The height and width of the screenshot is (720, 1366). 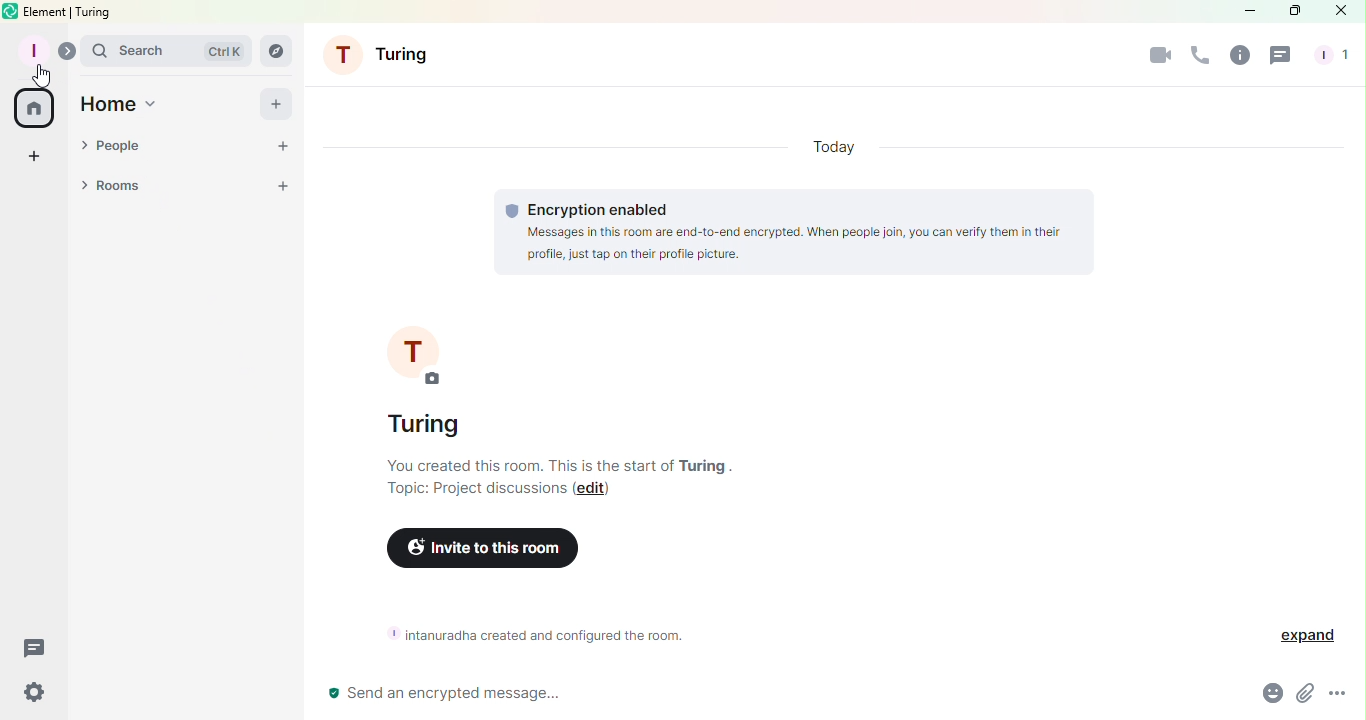 What do you see at coordinates (1291, 12) in the screenshot?
I see `Maximize` at bounding box center [1291, 12].